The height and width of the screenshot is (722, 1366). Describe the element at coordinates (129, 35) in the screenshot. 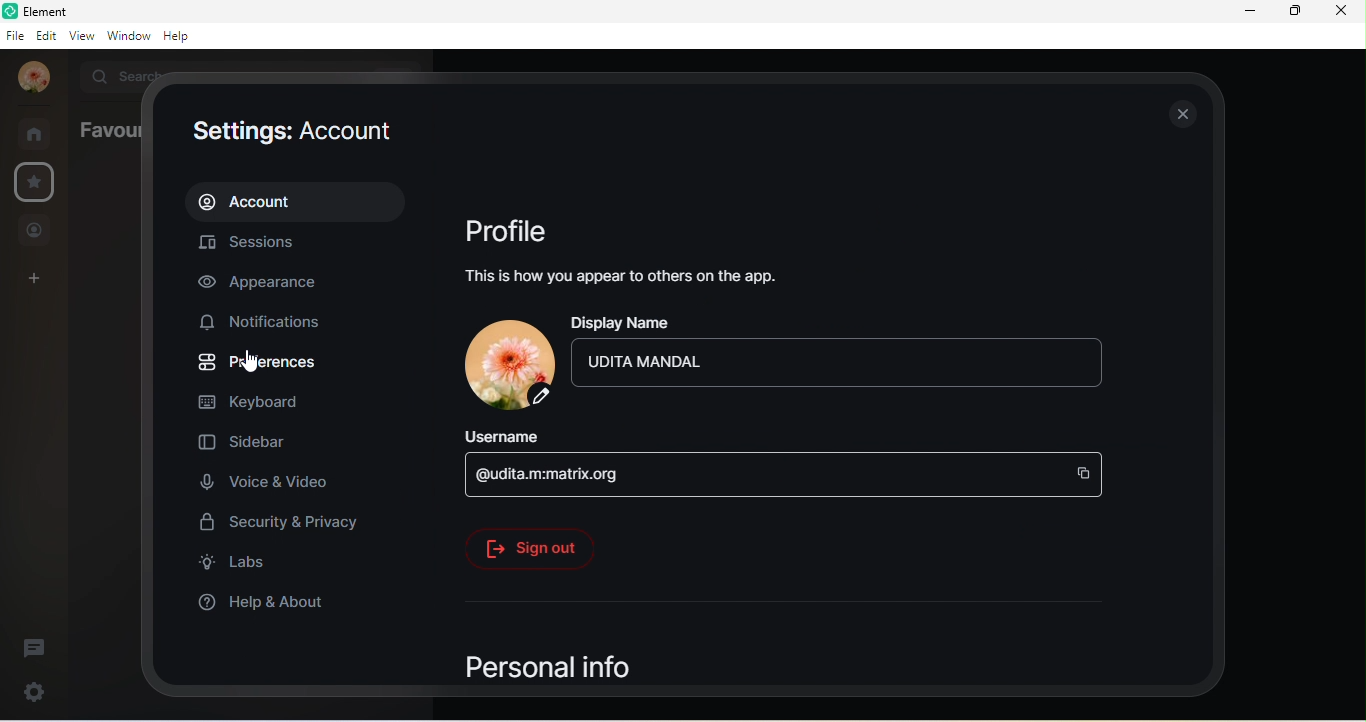

I see `window` at that location.